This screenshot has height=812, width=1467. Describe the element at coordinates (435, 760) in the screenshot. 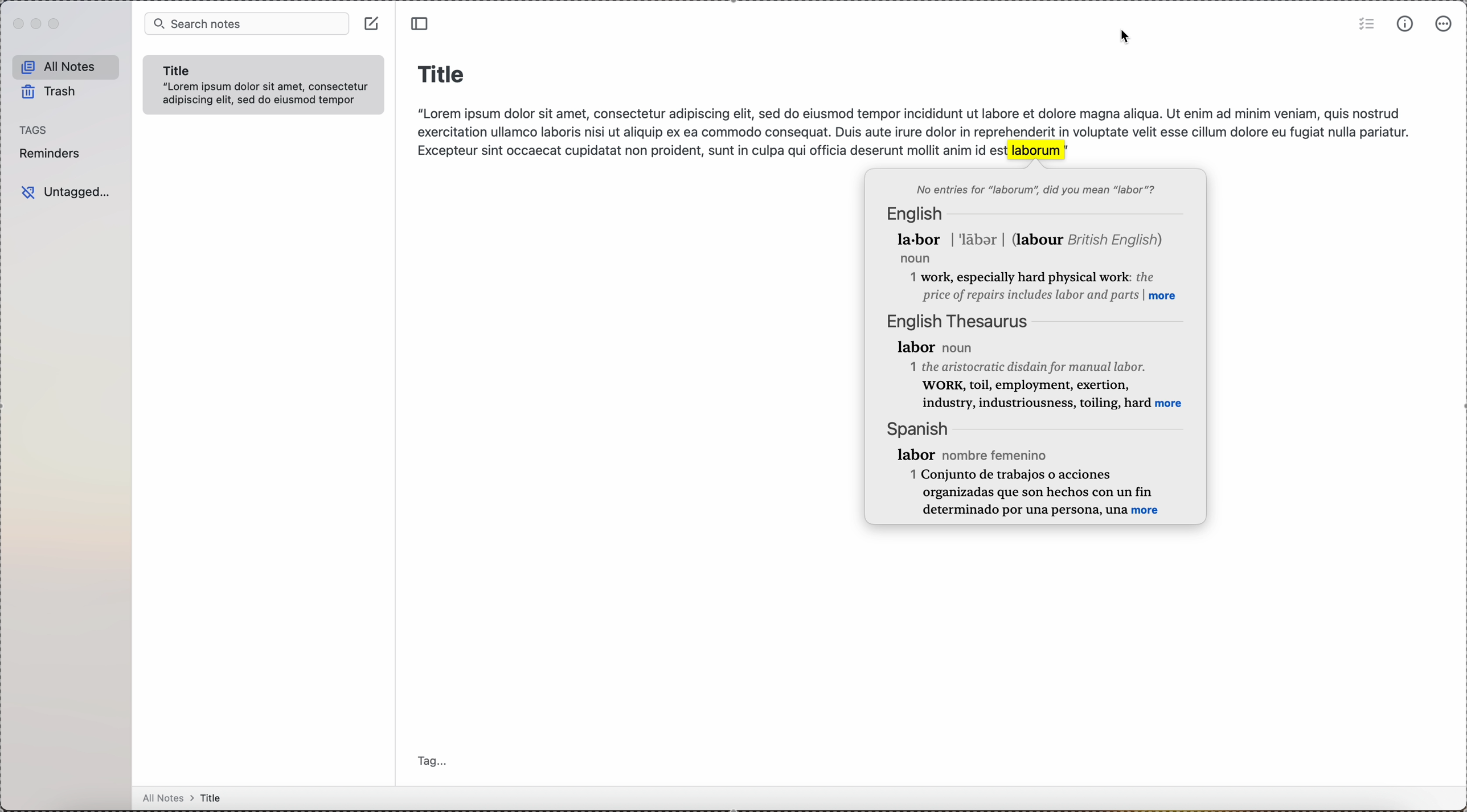

I see `tag` at that location.